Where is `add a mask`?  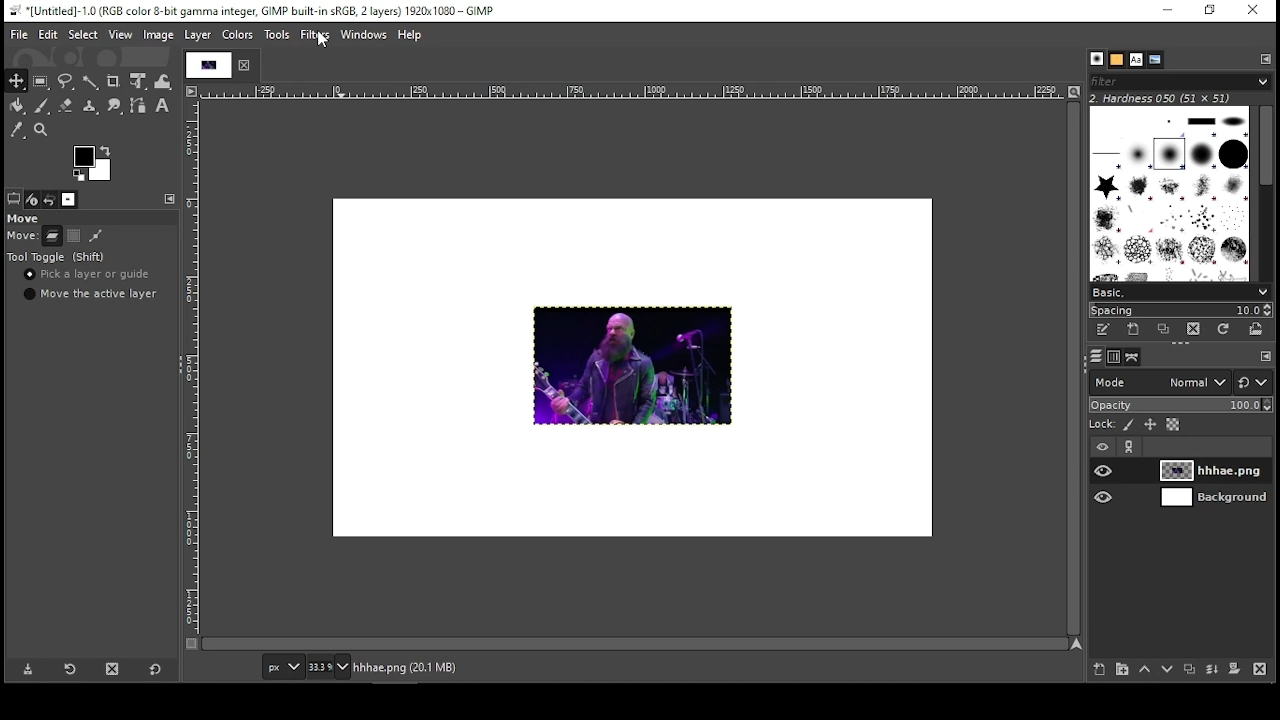 add a mask is located at coordinates (1236, 672).